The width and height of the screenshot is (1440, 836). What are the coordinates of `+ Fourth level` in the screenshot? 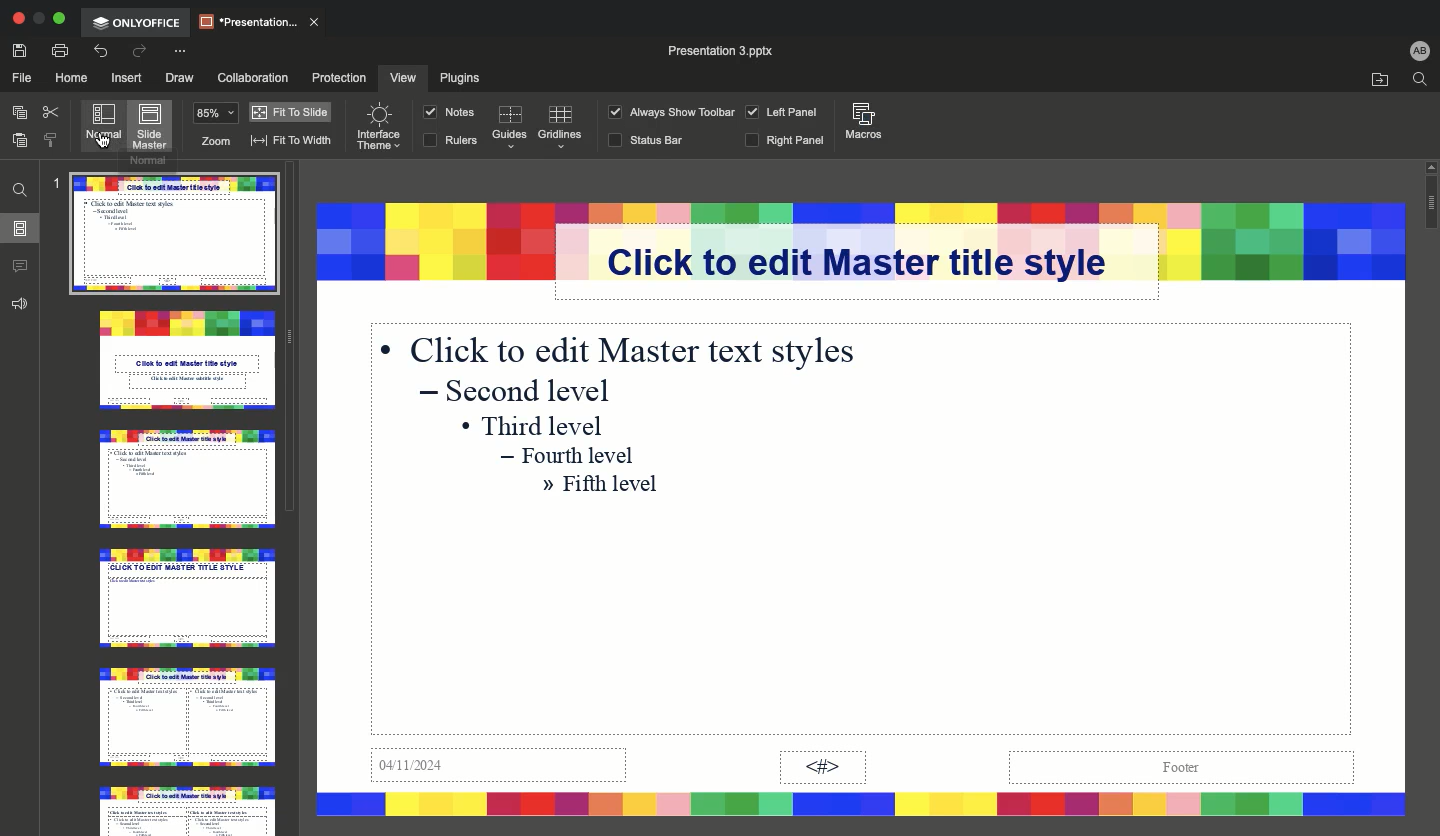 It's located at (572, 456).